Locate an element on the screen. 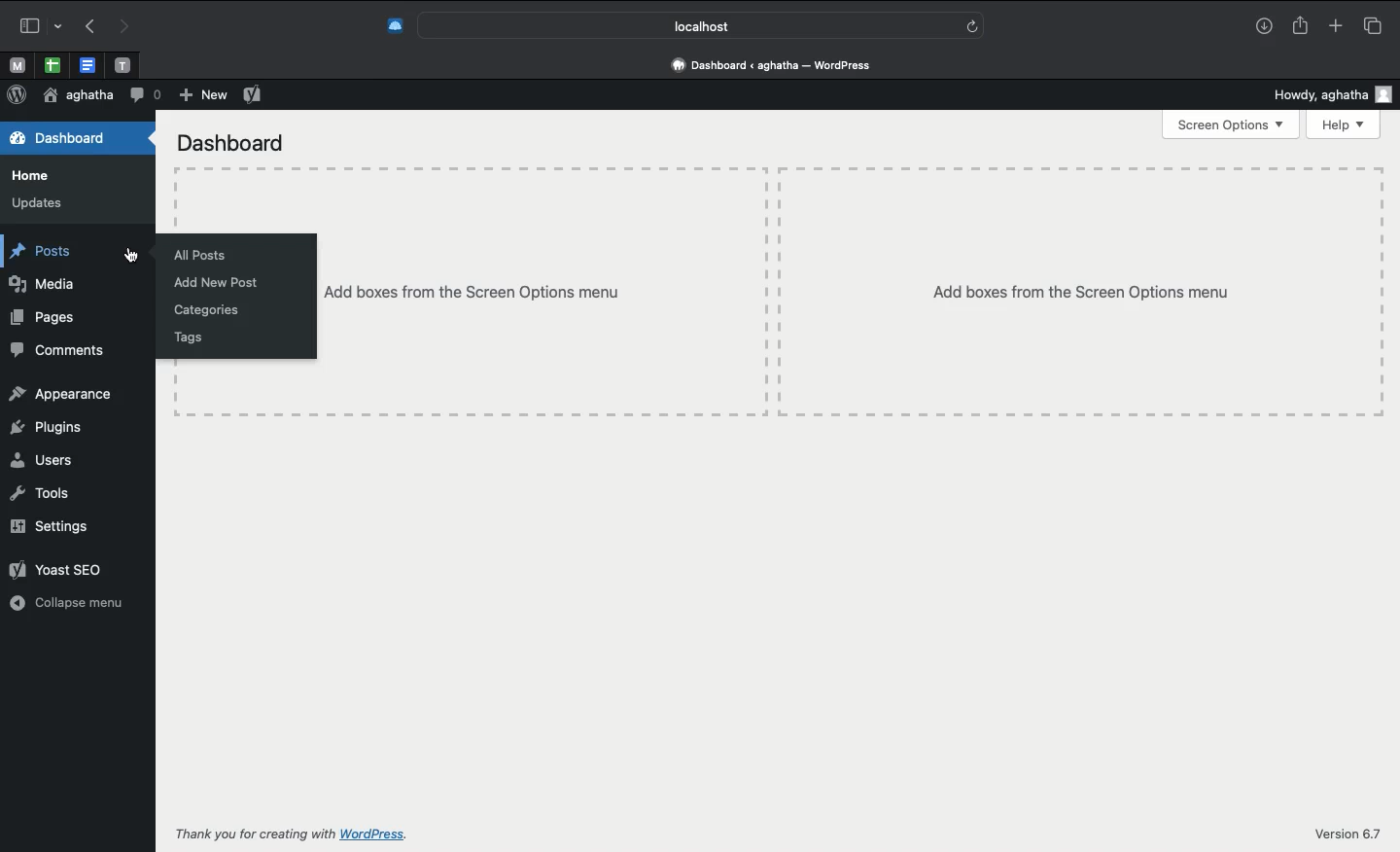  Extensions is located at coordinates (394, 23).